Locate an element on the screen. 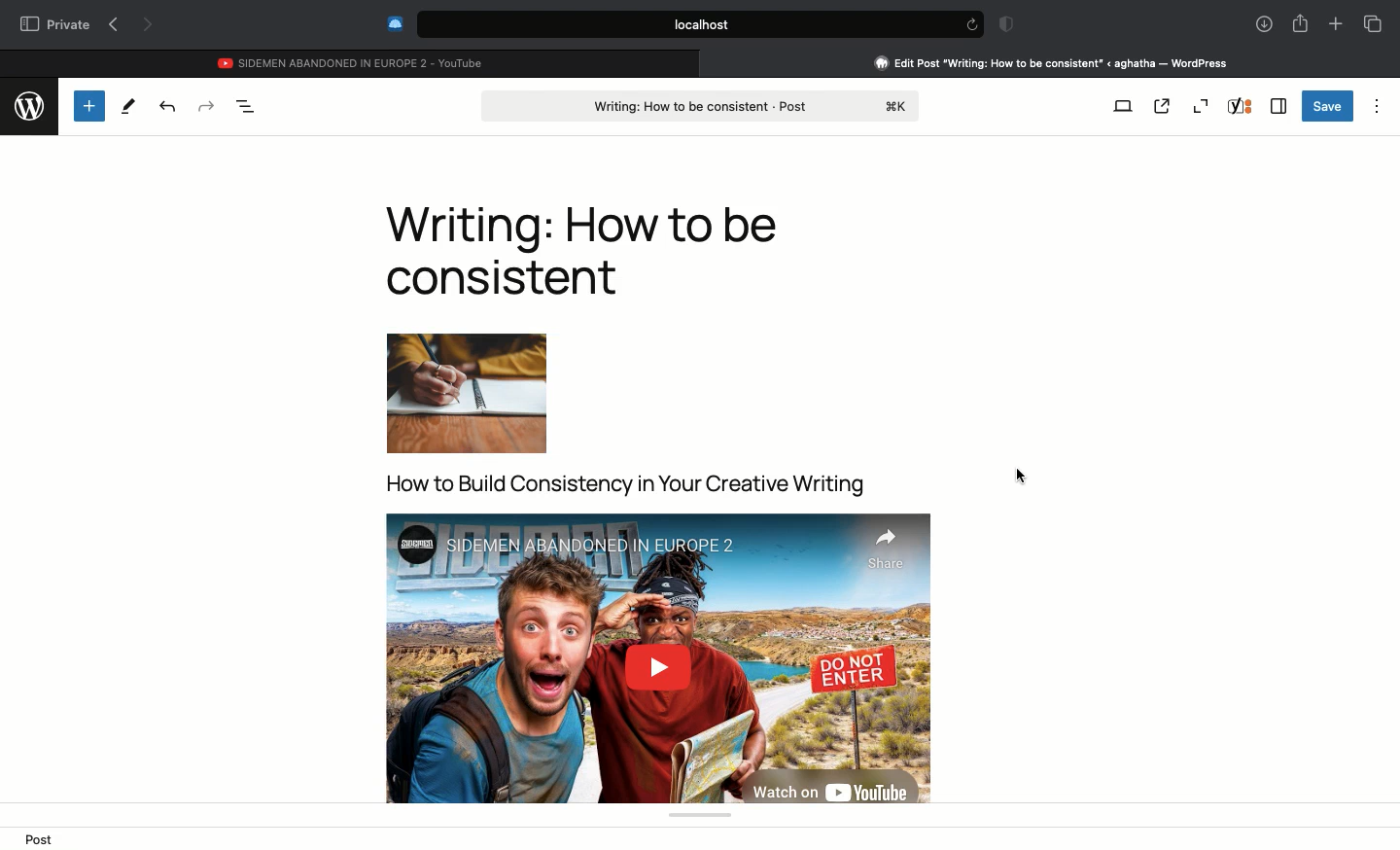 The height and width of the screenshot is (850, 1400). wordpress is located at coordinates (28, 103).